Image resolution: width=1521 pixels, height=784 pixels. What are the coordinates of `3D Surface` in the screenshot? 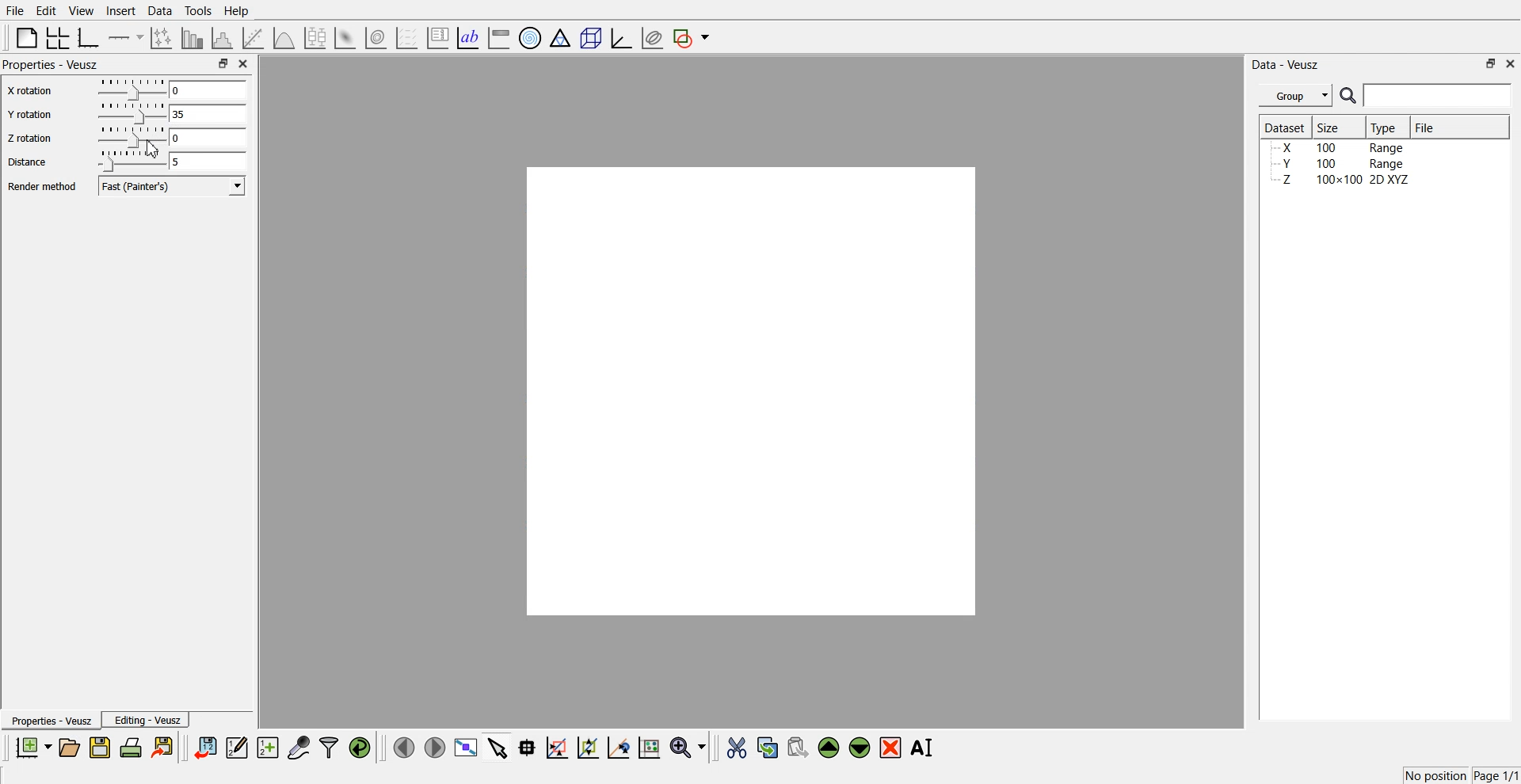 It's located at (345, 38).